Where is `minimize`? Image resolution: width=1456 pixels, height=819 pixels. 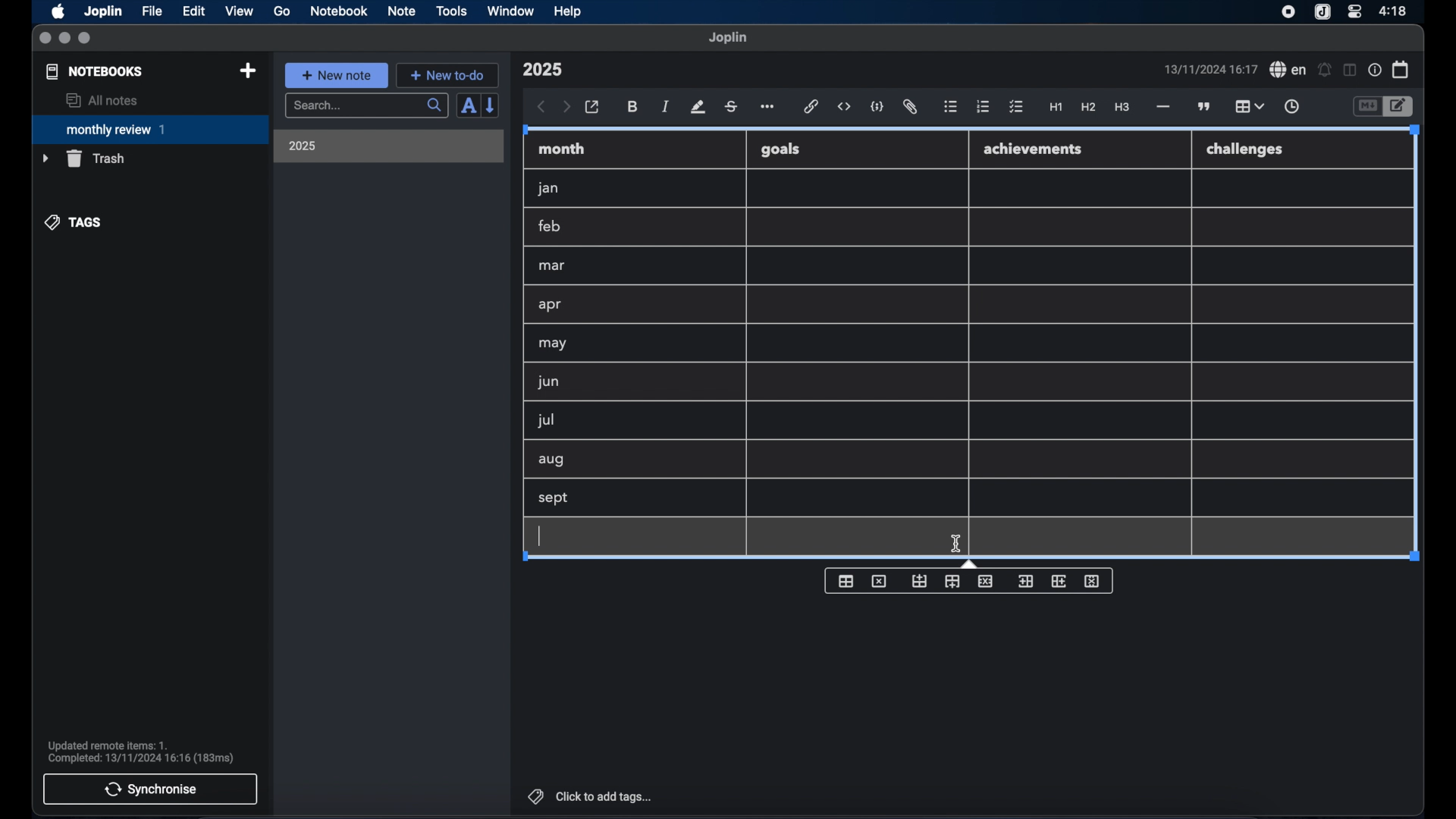 minimize is located at coordinates (64, 39).